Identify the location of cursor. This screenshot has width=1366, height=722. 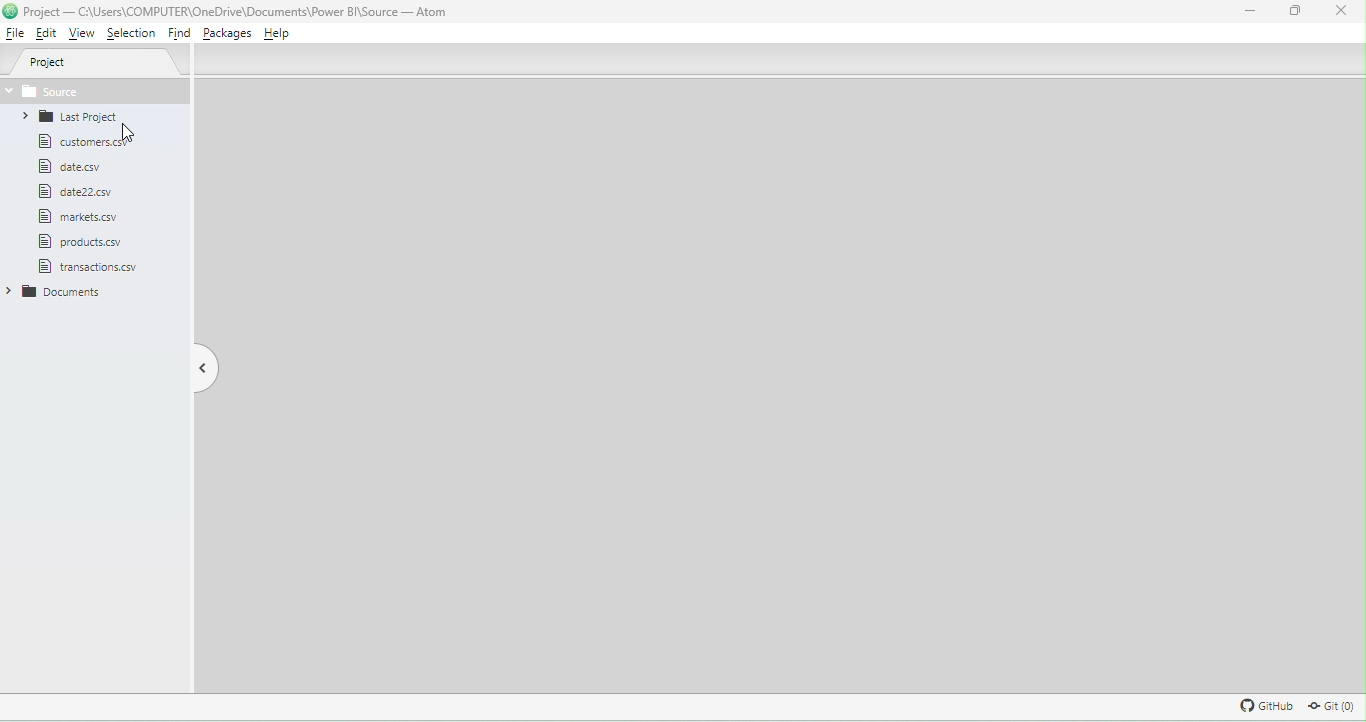
(136, 133).